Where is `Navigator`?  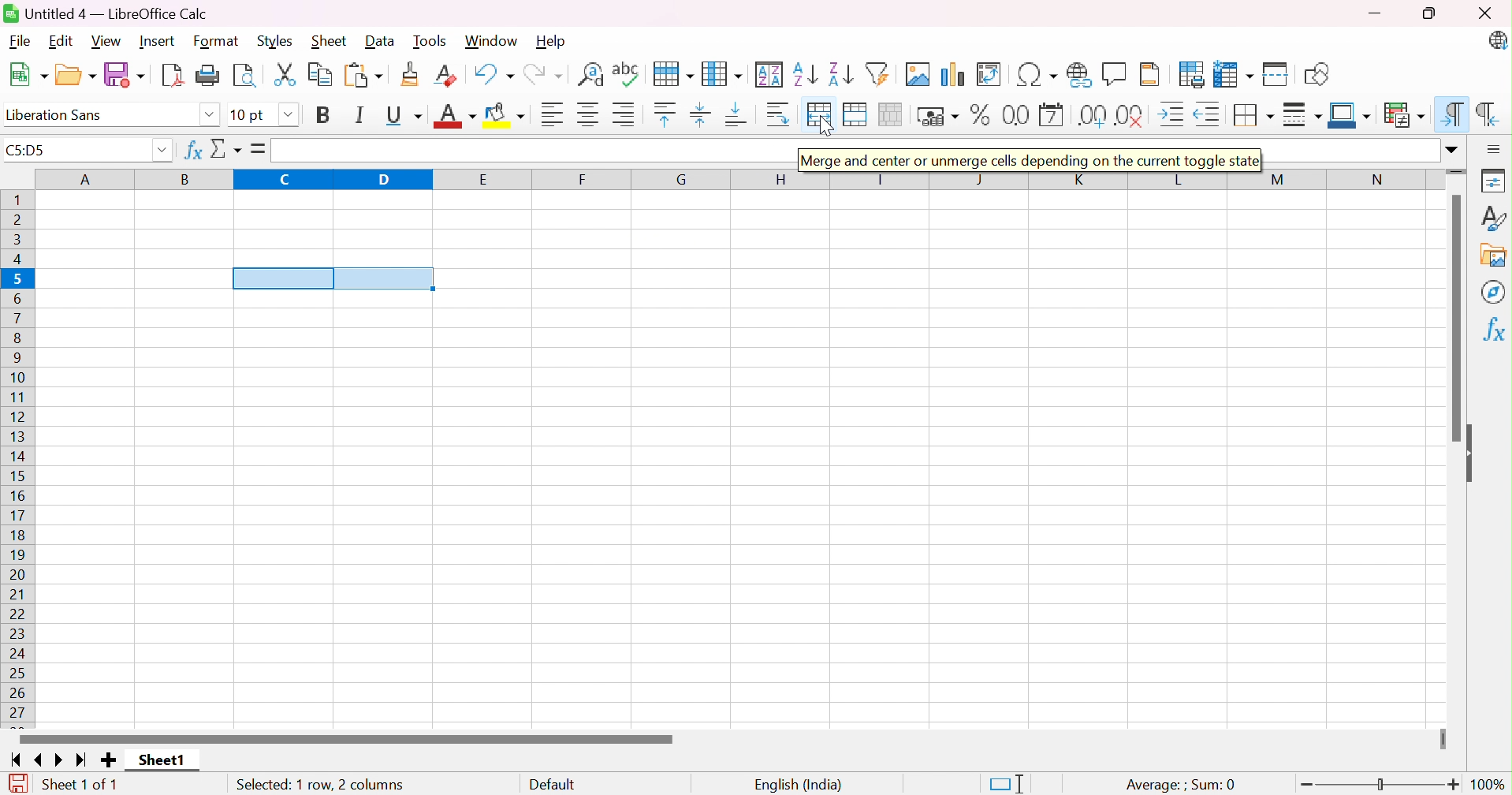
Navigator is located at coordinates (1492, 293).